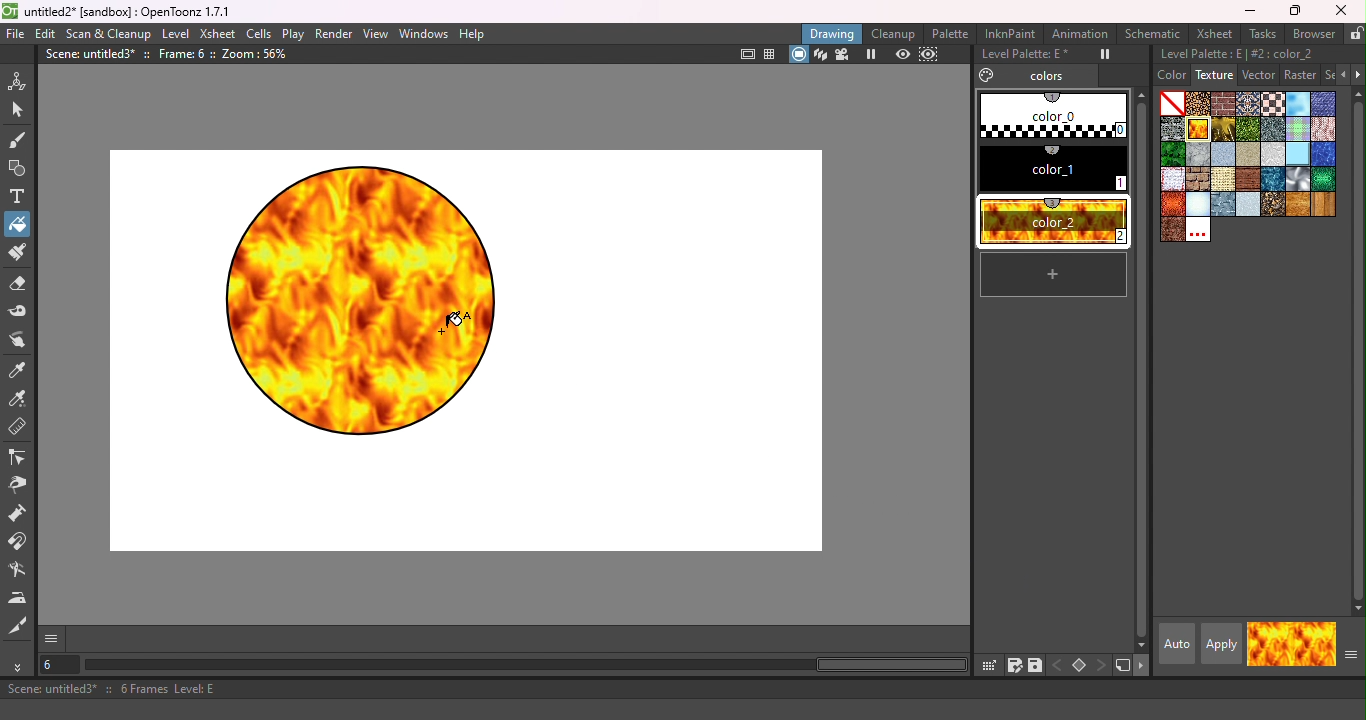  I want to click on cursor, so click(452, 323).